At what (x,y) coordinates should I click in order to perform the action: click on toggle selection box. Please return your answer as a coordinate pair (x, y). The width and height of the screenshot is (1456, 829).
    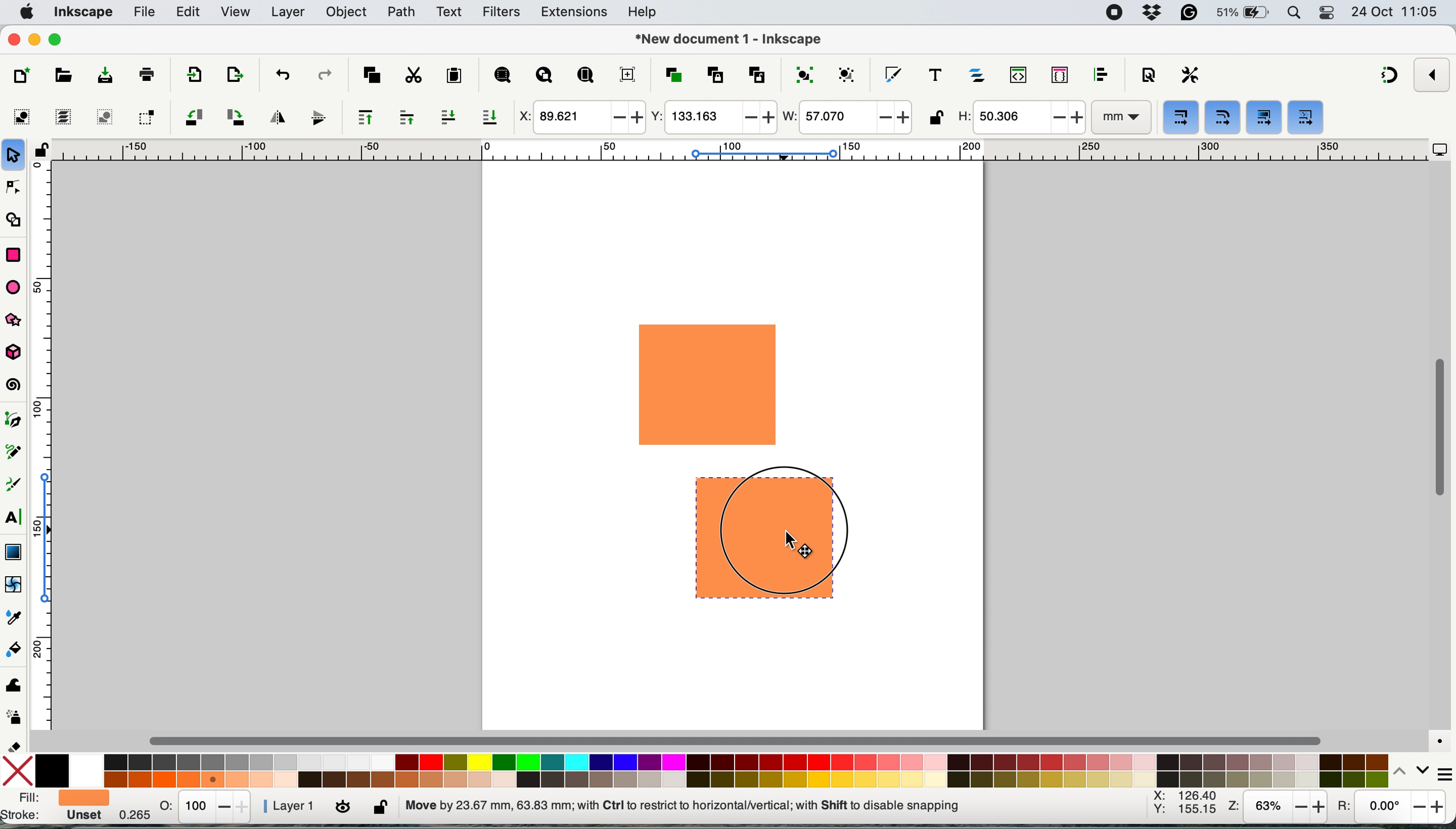
    Looking at the image, I should click on (146, 116).